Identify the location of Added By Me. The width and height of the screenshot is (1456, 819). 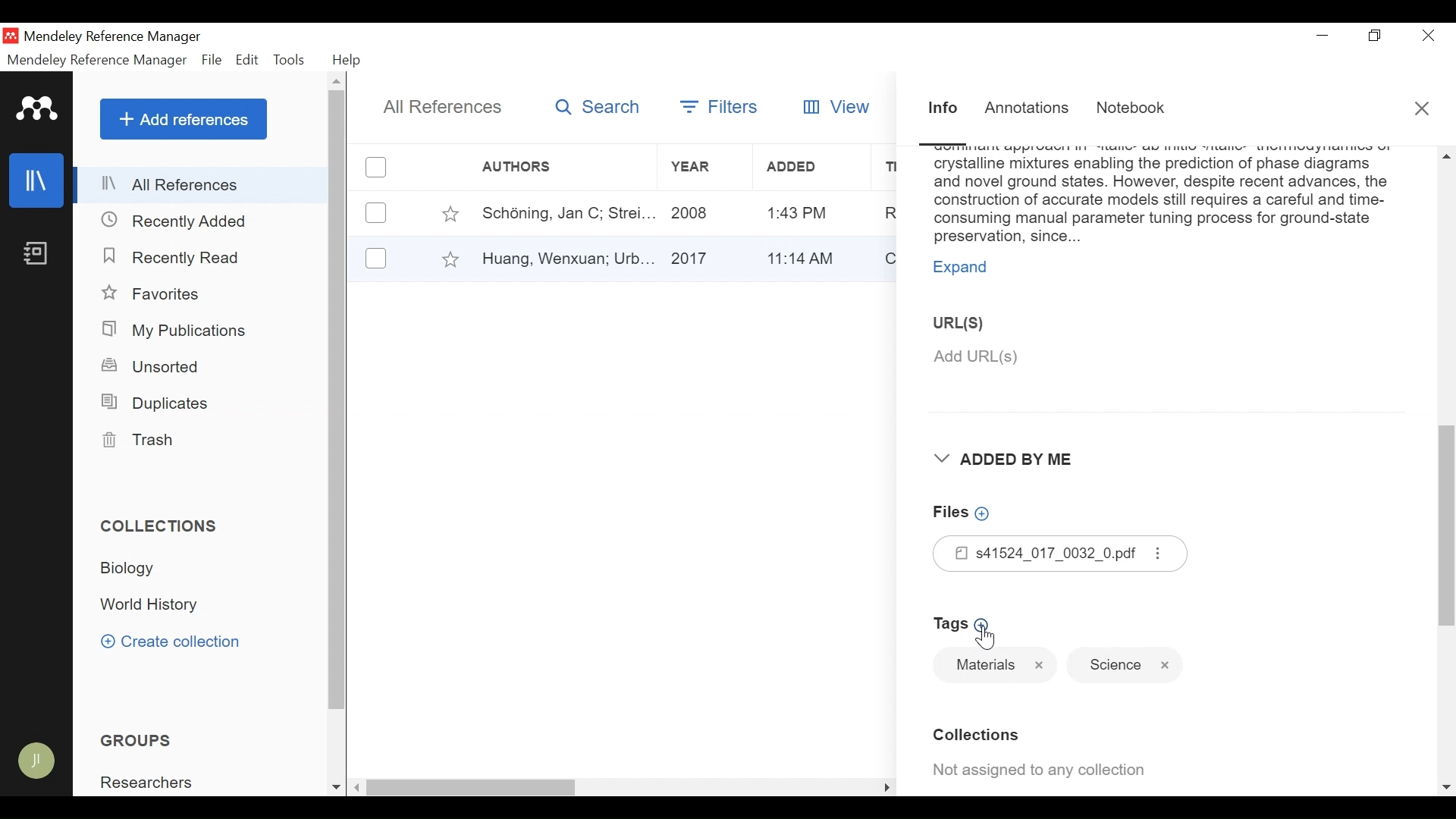
(1013, 460).